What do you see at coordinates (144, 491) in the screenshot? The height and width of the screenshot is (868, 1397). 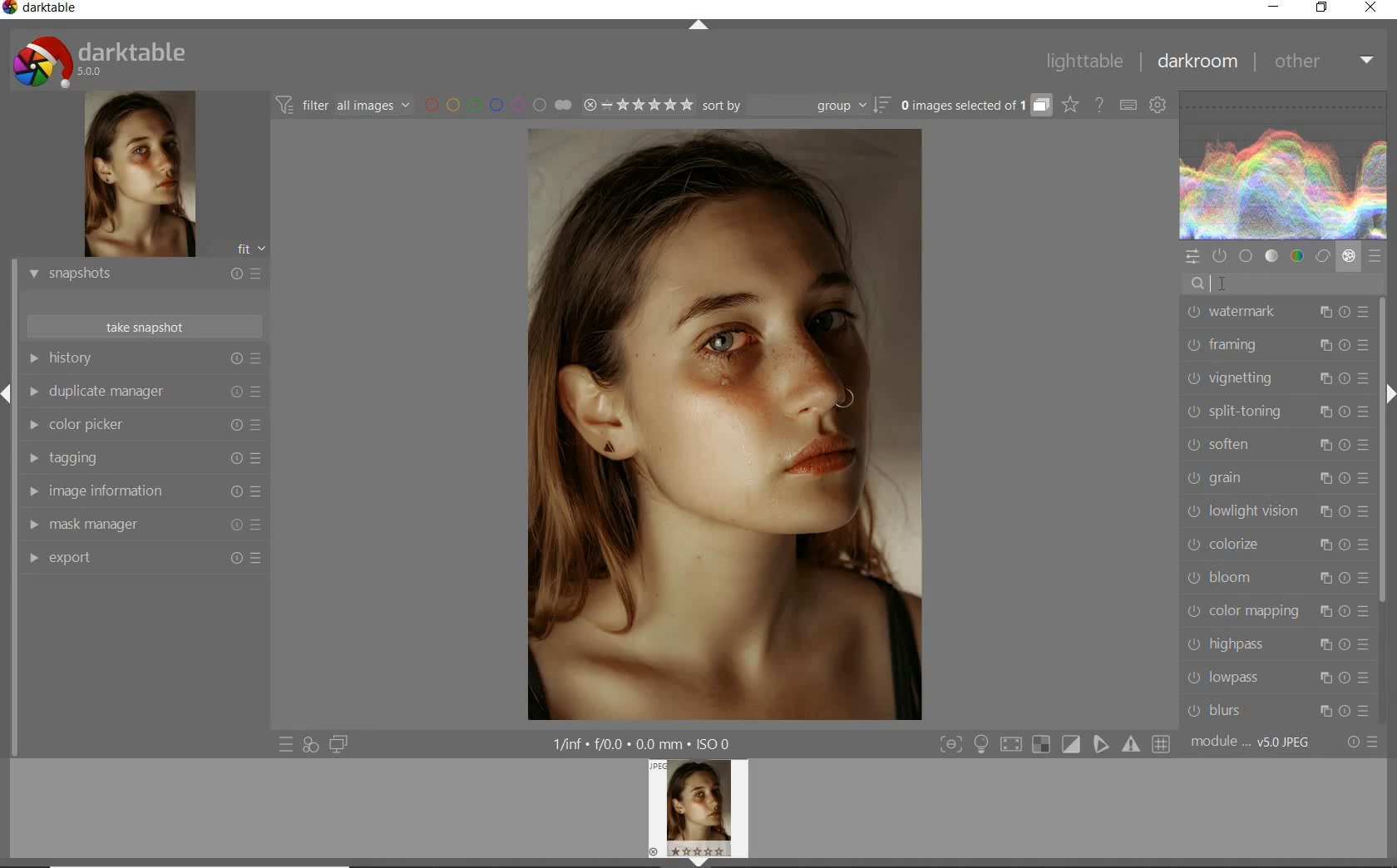 I see `image information` at bounding box center [144, 491].